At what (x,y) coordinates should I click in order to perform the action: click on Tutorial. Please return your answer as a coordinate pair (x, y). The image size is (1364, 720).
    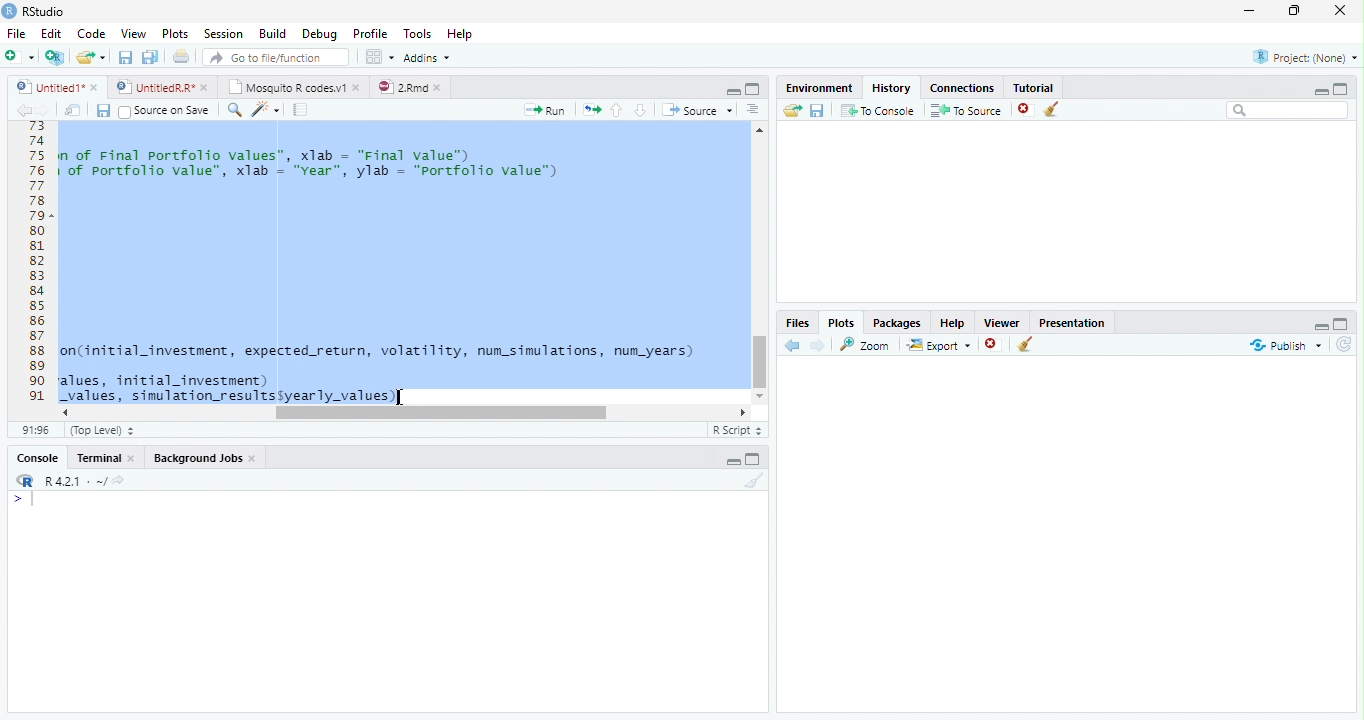
    Looking at the image, I should click on (1030, 85).